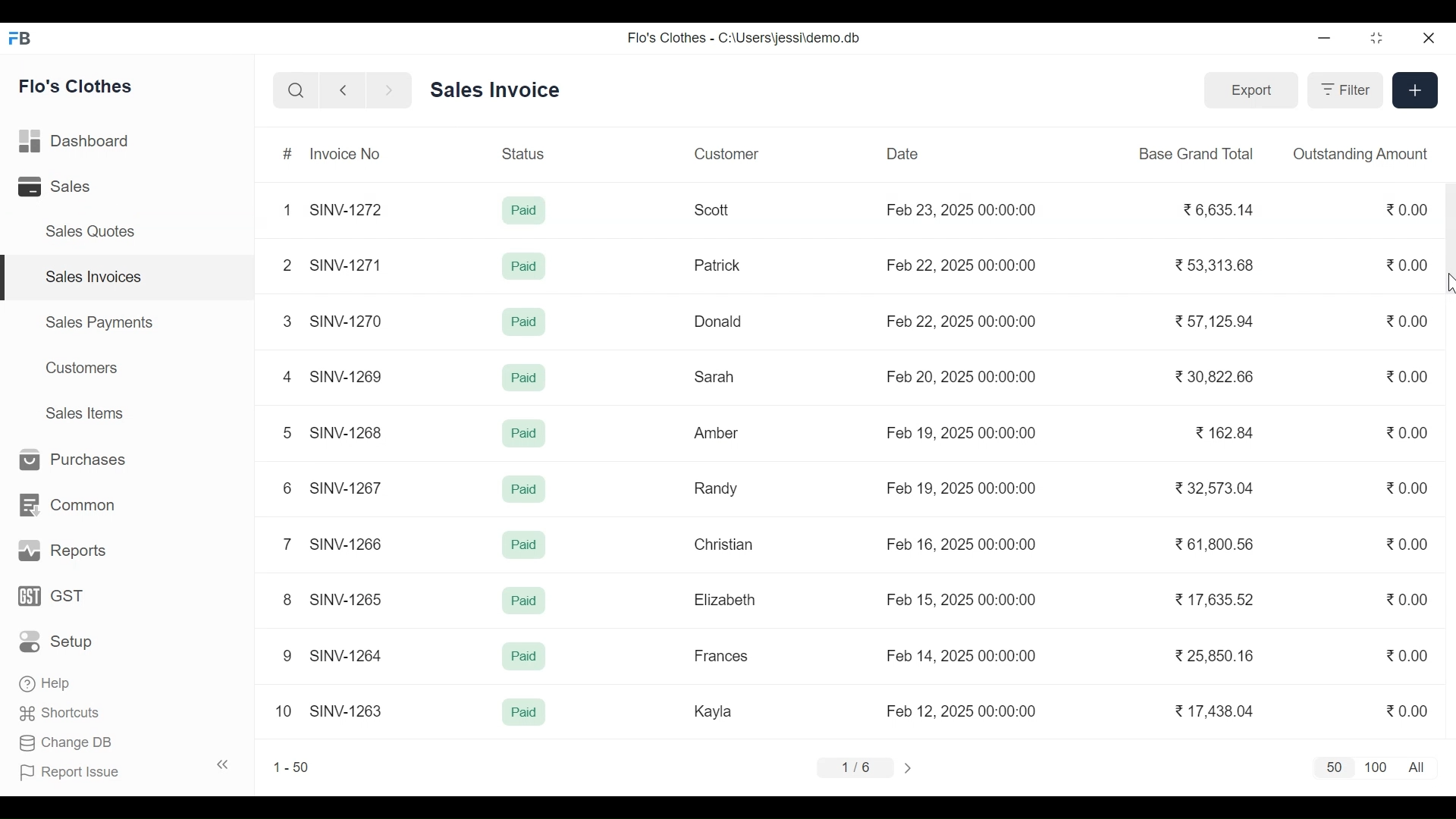  Describe the element at coordinates (1215, 711) in the screenshot. I see `17,438.04` at that location.